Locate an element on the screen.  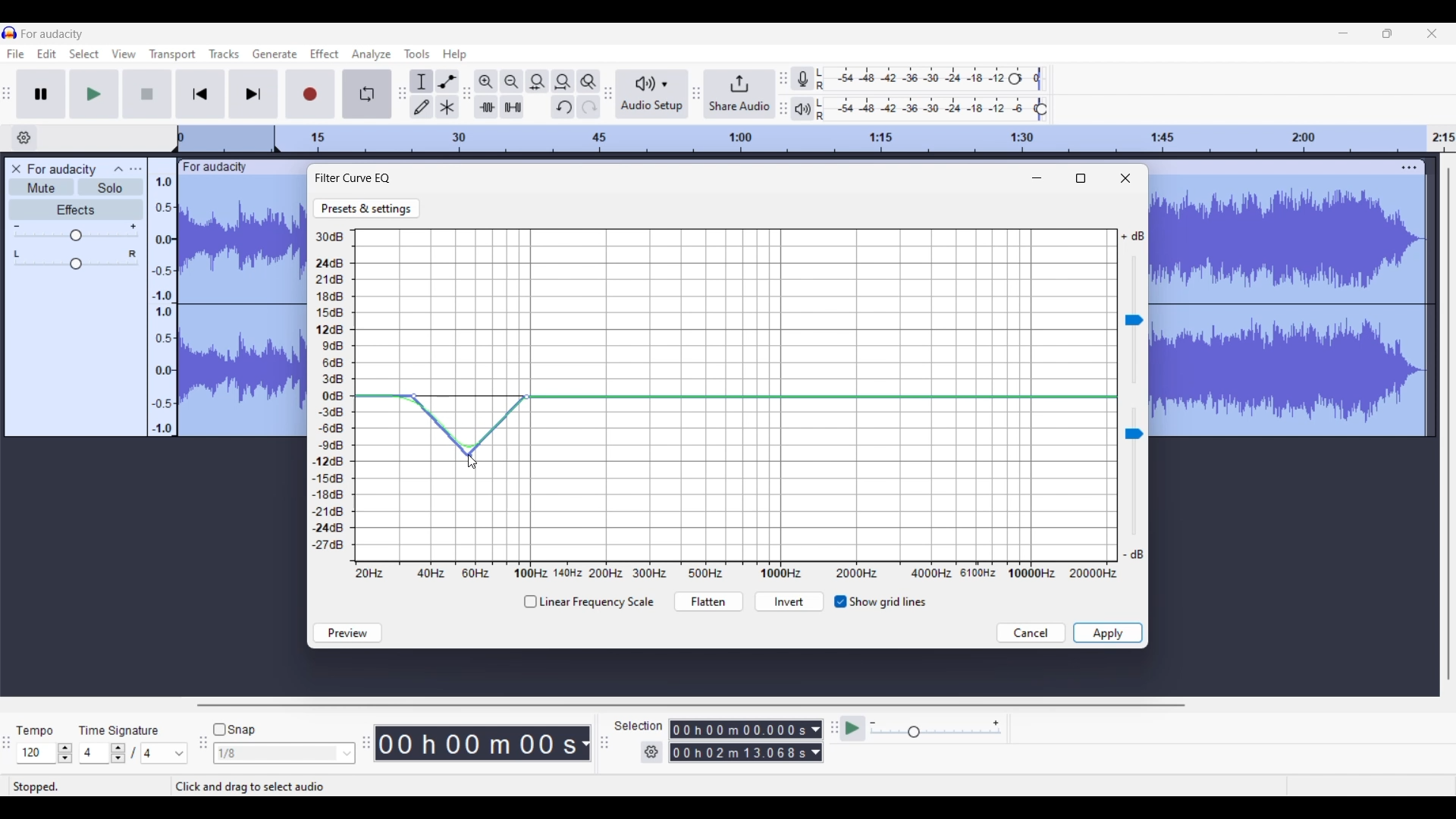
Timeline options is located at coordinates (25, 137).